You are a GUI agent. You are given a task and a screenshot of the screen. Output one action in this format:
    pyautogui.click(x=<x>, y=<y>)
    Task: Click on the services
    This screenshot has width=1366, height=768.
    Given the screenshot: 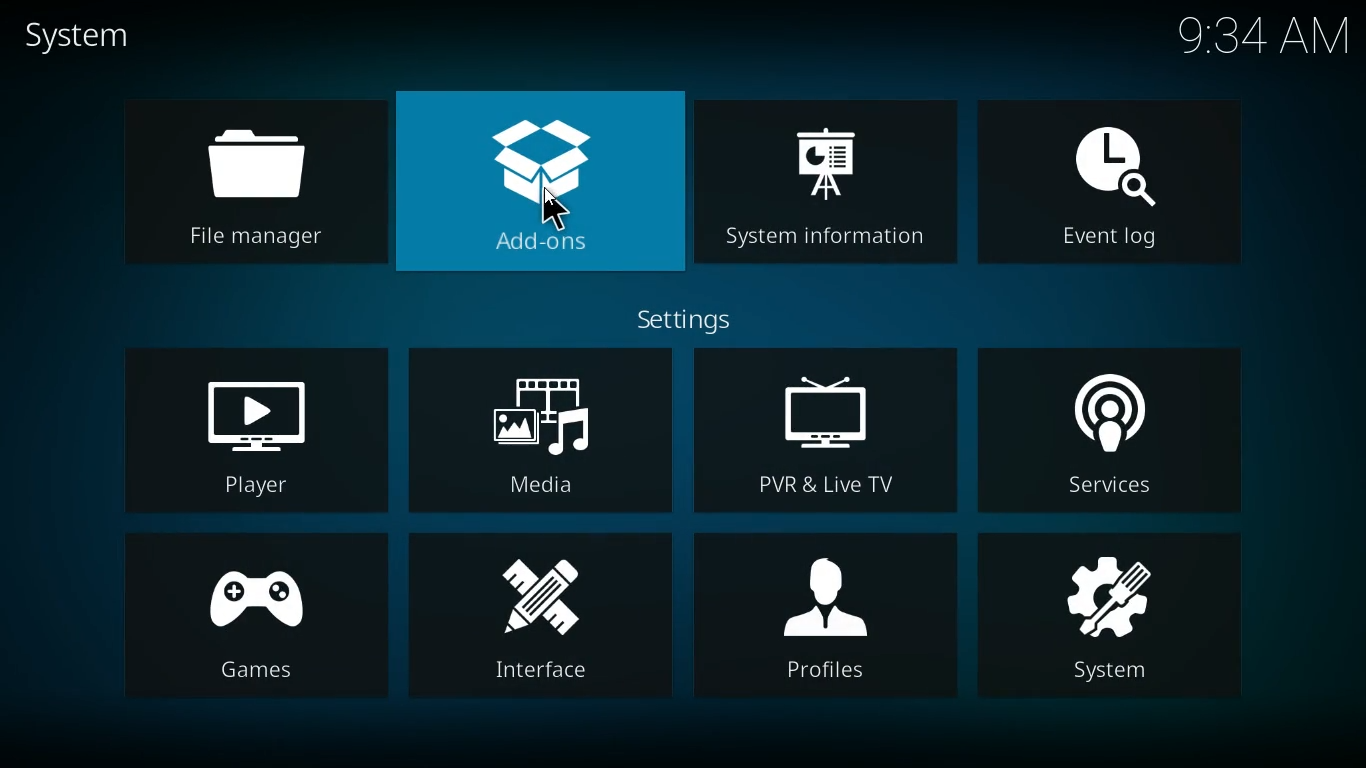 What is the action you would take?
    pyautogui.click(x=1115, y=431)
    